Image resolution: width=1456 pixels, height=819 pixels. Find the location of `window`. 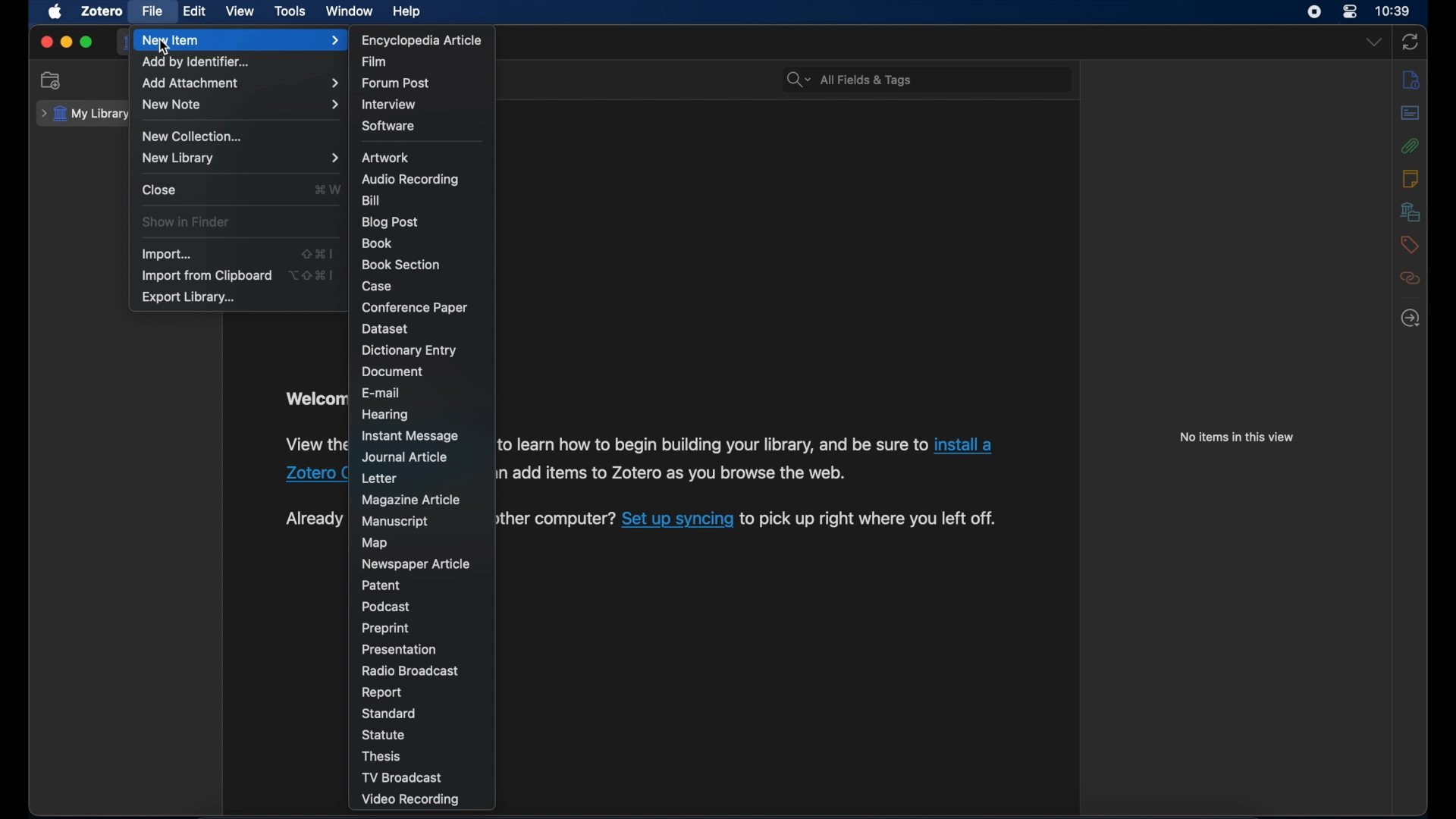

window is located at coordinates (349, 11).